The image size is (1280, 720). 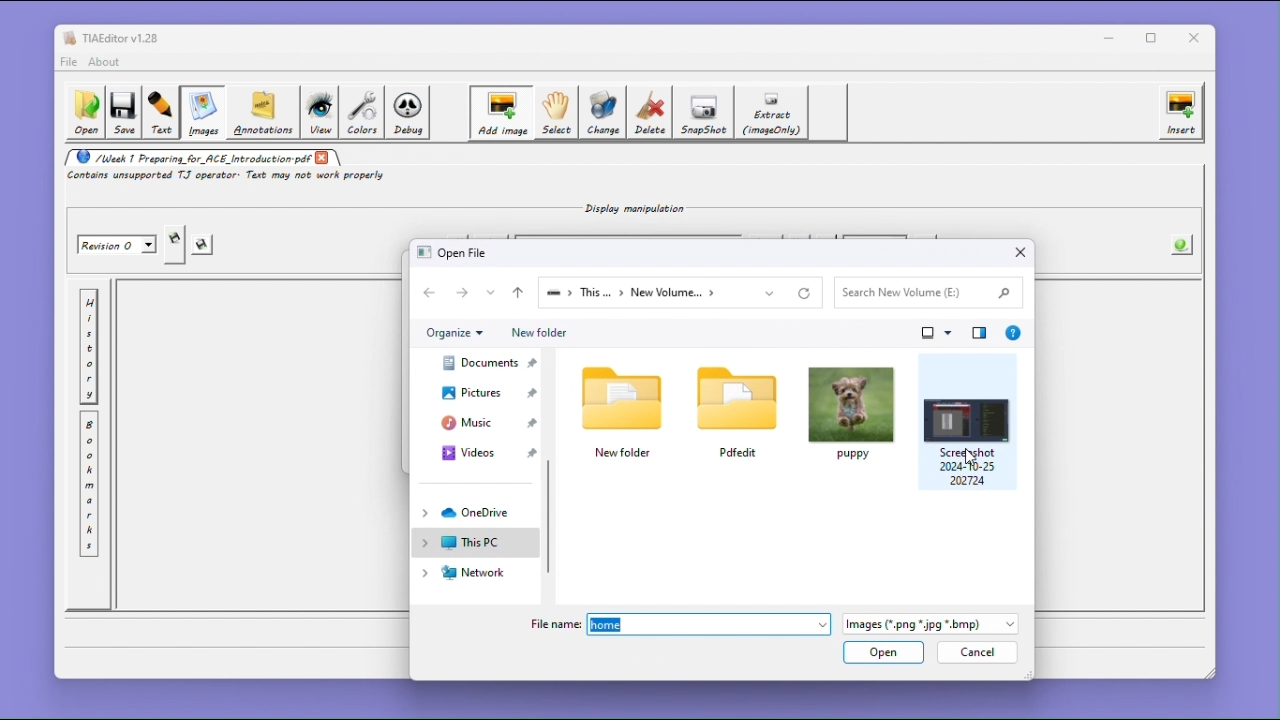 What do you see at coordinates (492, 292) in the screenshot?
I see `more options` at bounding box center [492, 292].